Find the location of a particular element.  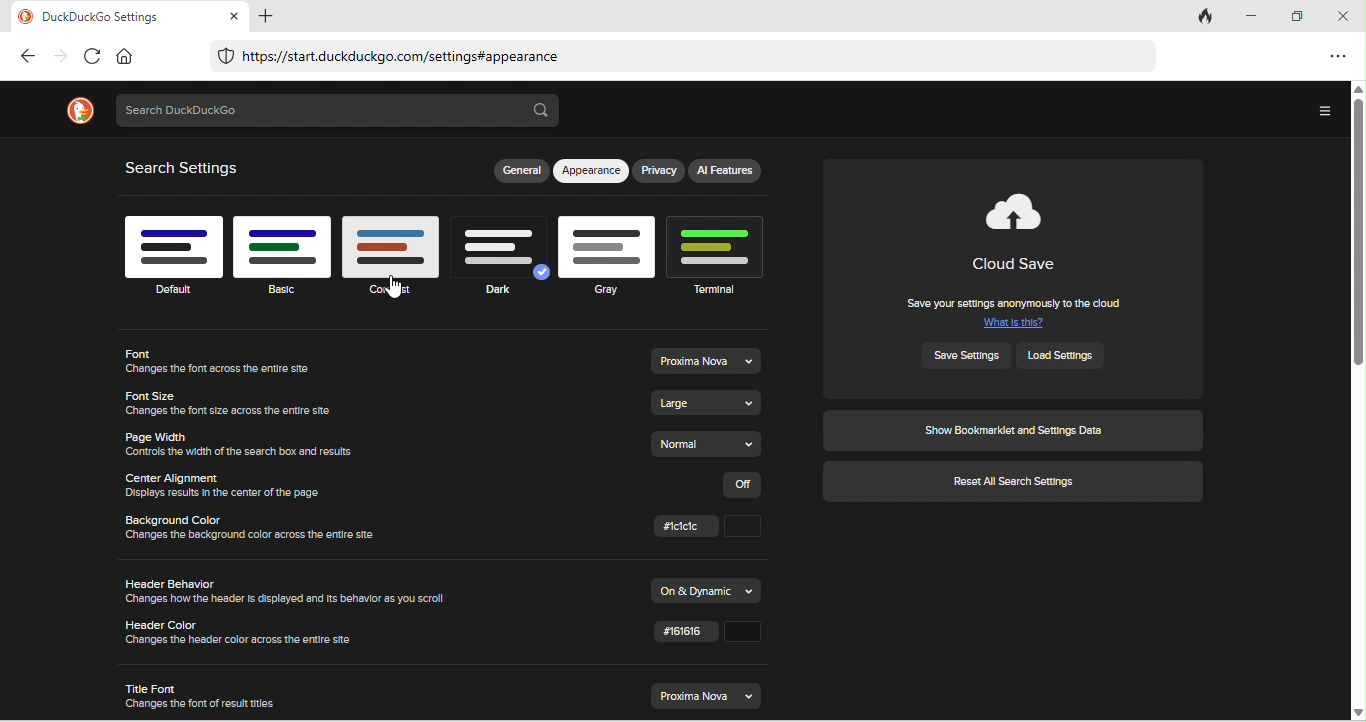

proxima nova is located at coordinates (705, 360).